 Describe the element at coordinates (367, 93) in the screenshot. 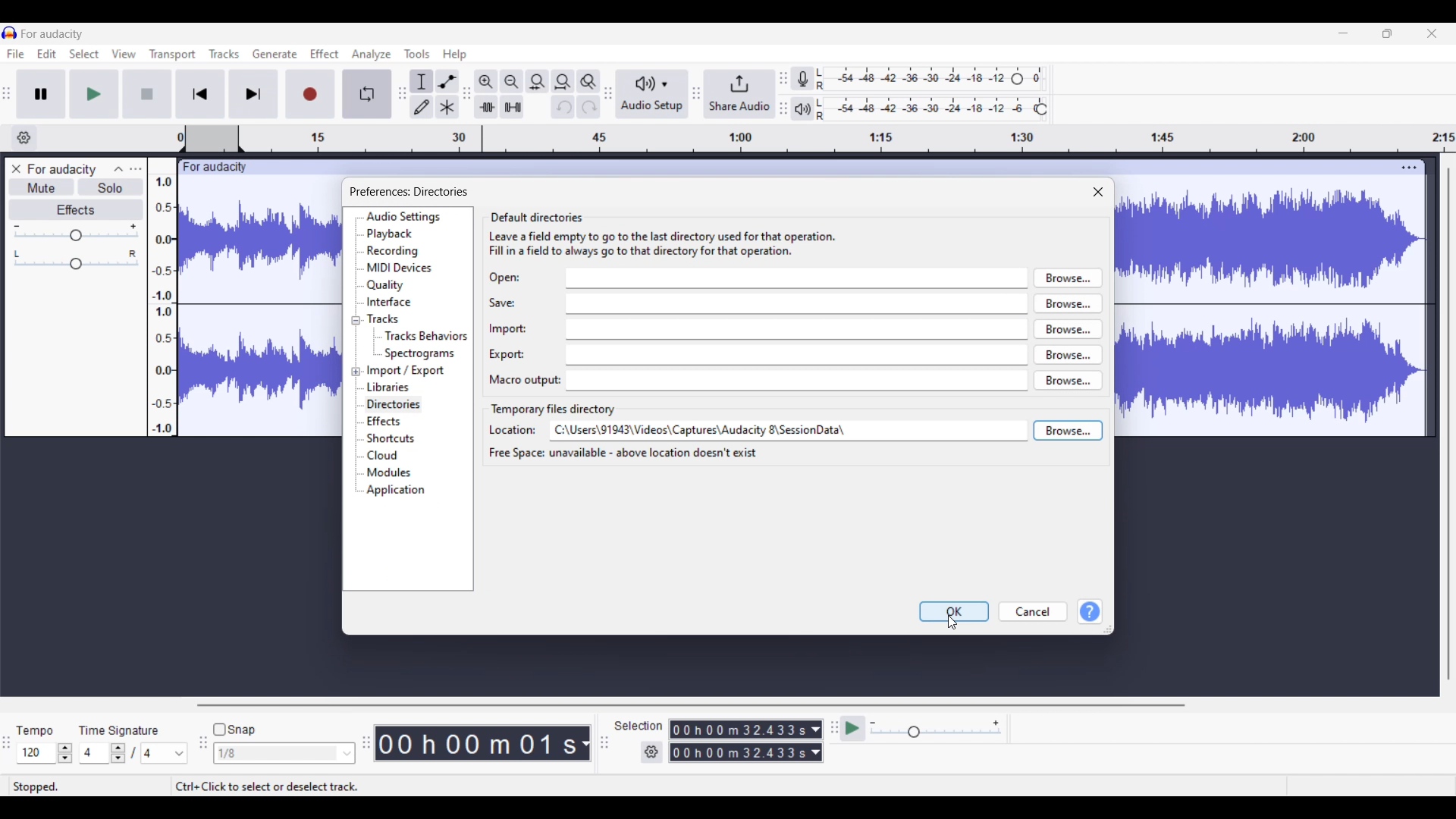

I see `Enable looping` at that location.